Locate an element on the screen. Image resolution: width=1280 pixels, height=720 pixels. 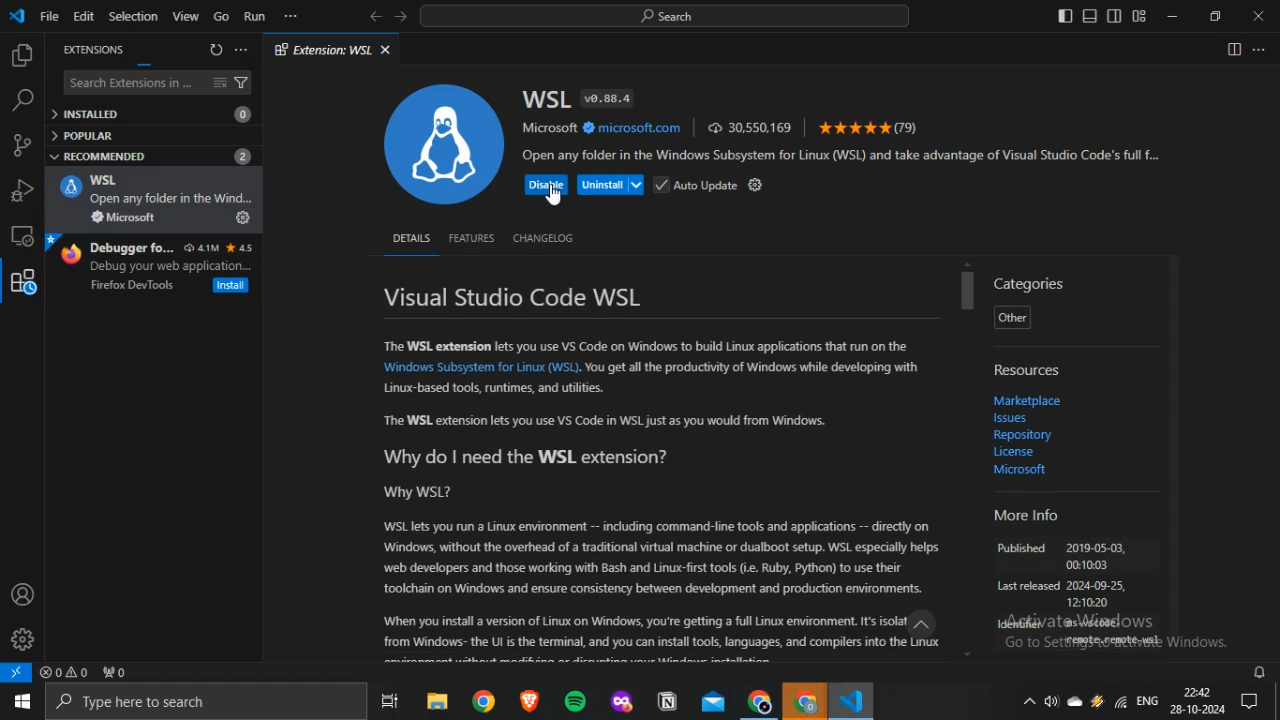
Why do | need the WSL extension? is located at coordinates (524, 460).